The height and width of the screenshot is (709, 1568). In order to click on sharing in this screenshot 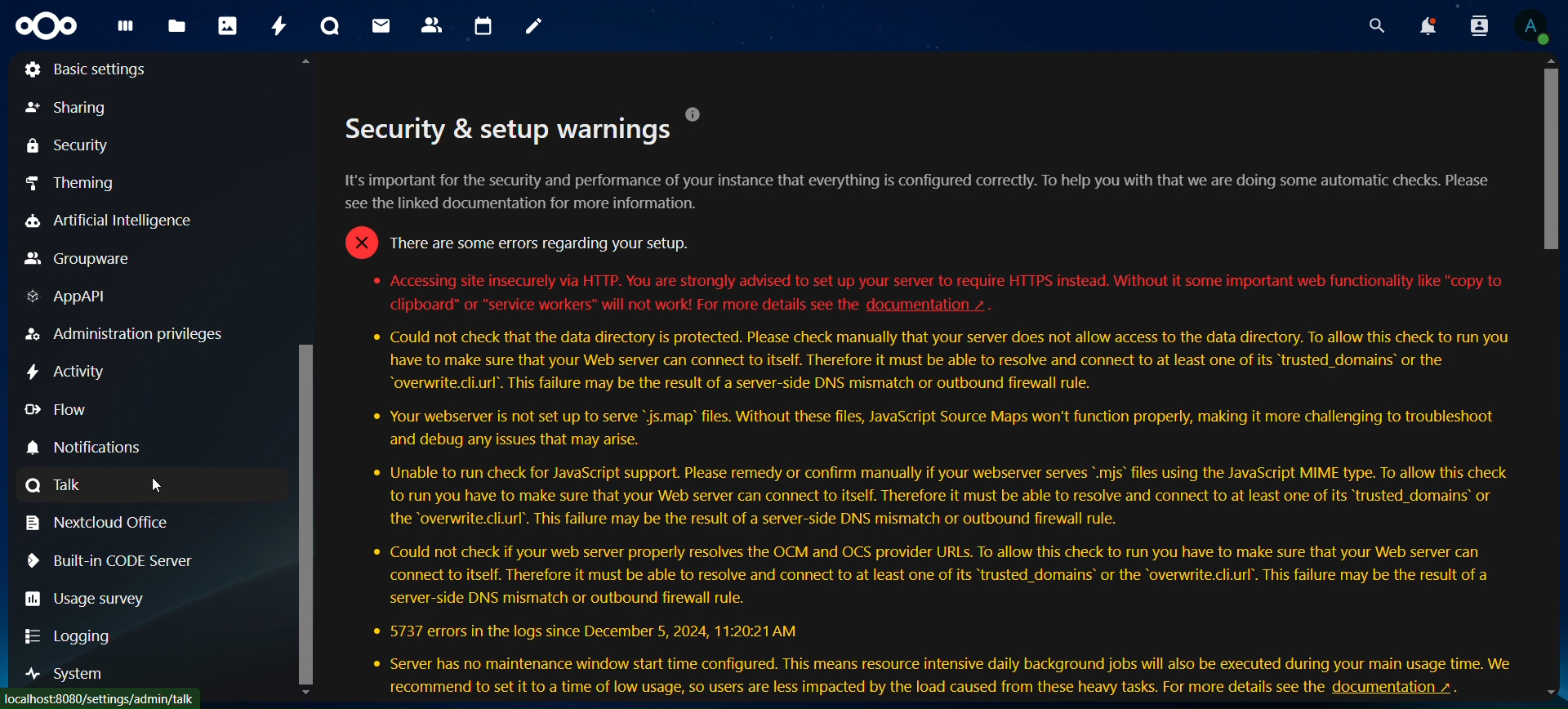, I will do `click(78, 108)`.